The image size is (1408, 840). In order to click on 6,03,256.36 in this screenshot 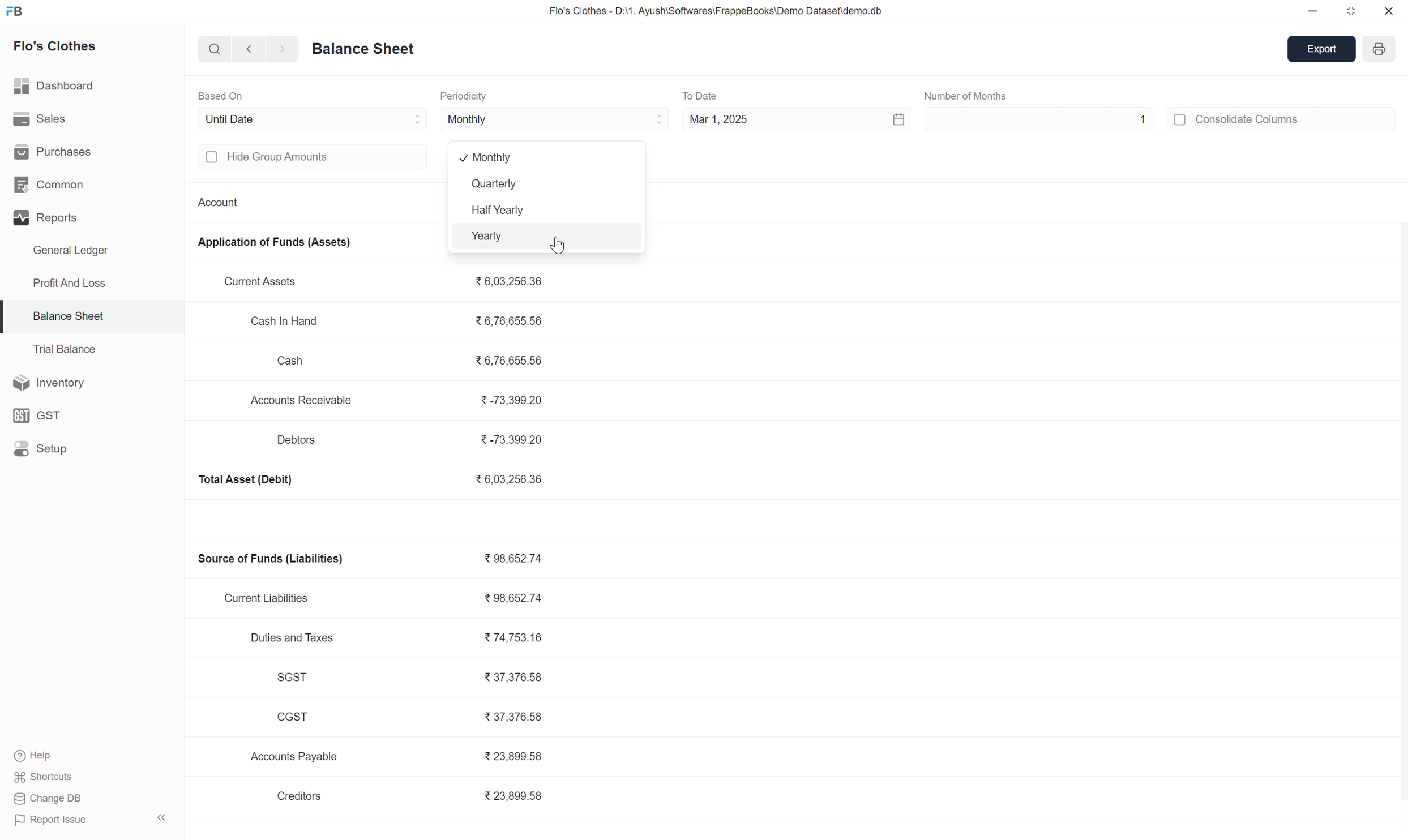, I will do `click(520, 479)`.